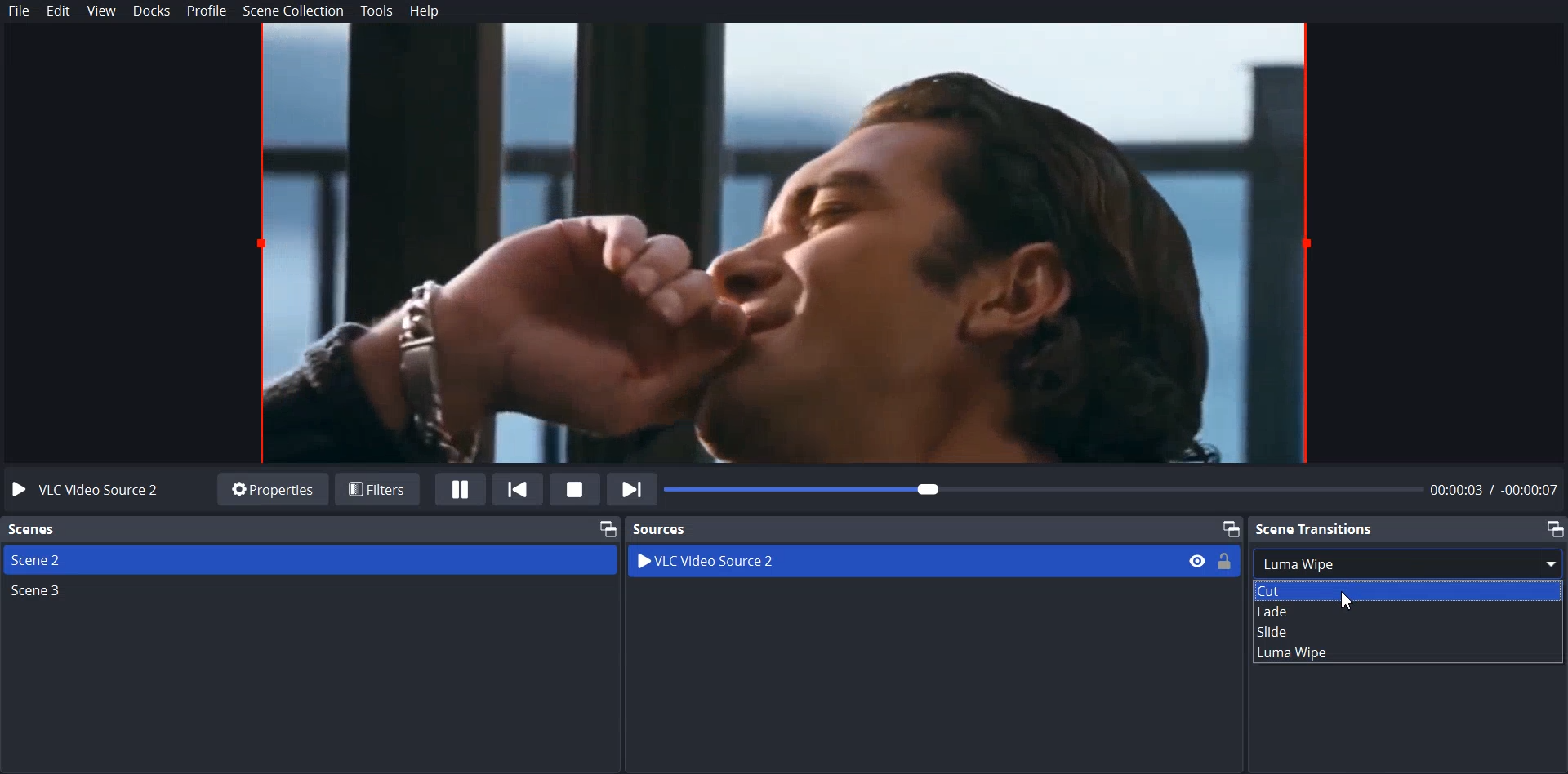 The width and height of the screenshot is (1568, 774). I want to click on Previously Playlist, so click(519, 488).